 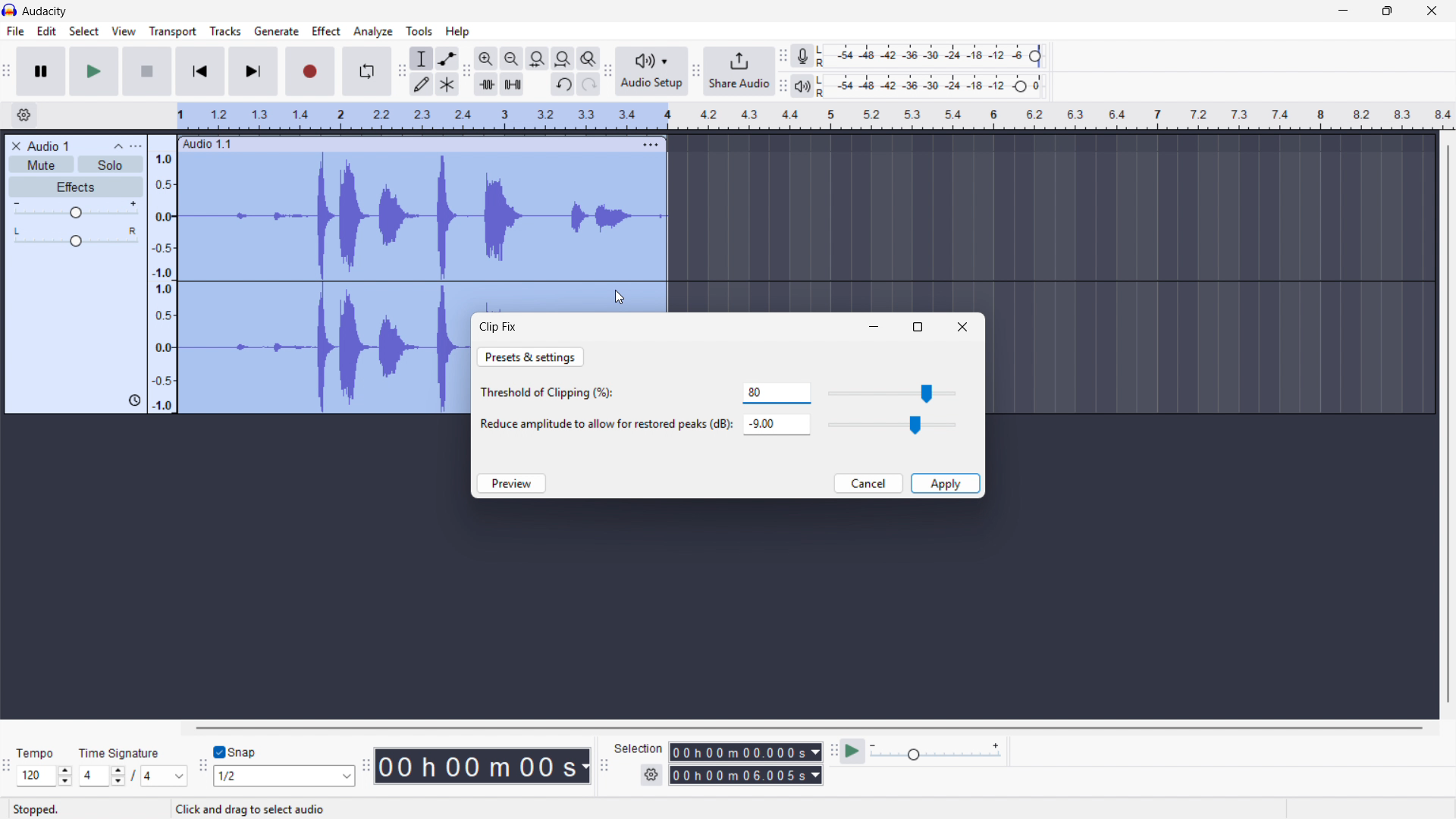 I want to click on Threshold of clipping, so click(x=777, y=393).